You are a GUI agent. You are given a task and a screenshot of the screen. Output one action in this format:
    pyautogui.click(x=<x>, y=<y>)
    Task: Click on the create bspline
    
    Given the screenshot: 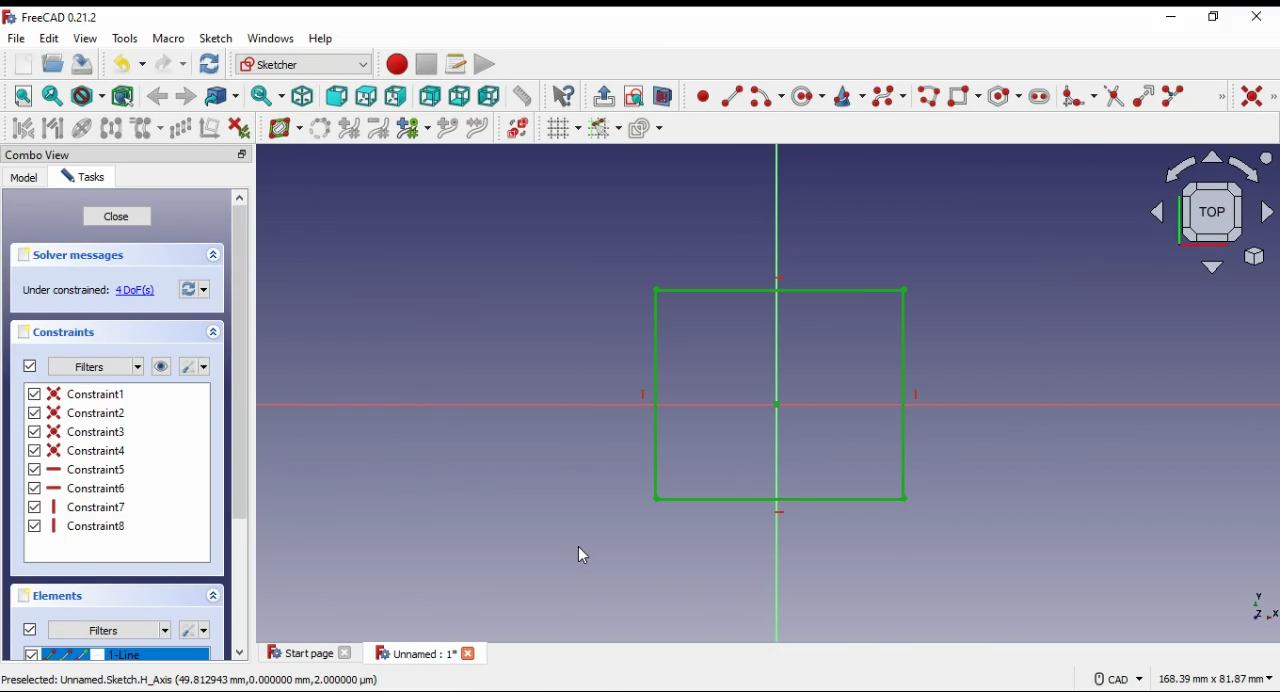 What is the action you would take?
    pyautogui.click(x=889, y=95)
    